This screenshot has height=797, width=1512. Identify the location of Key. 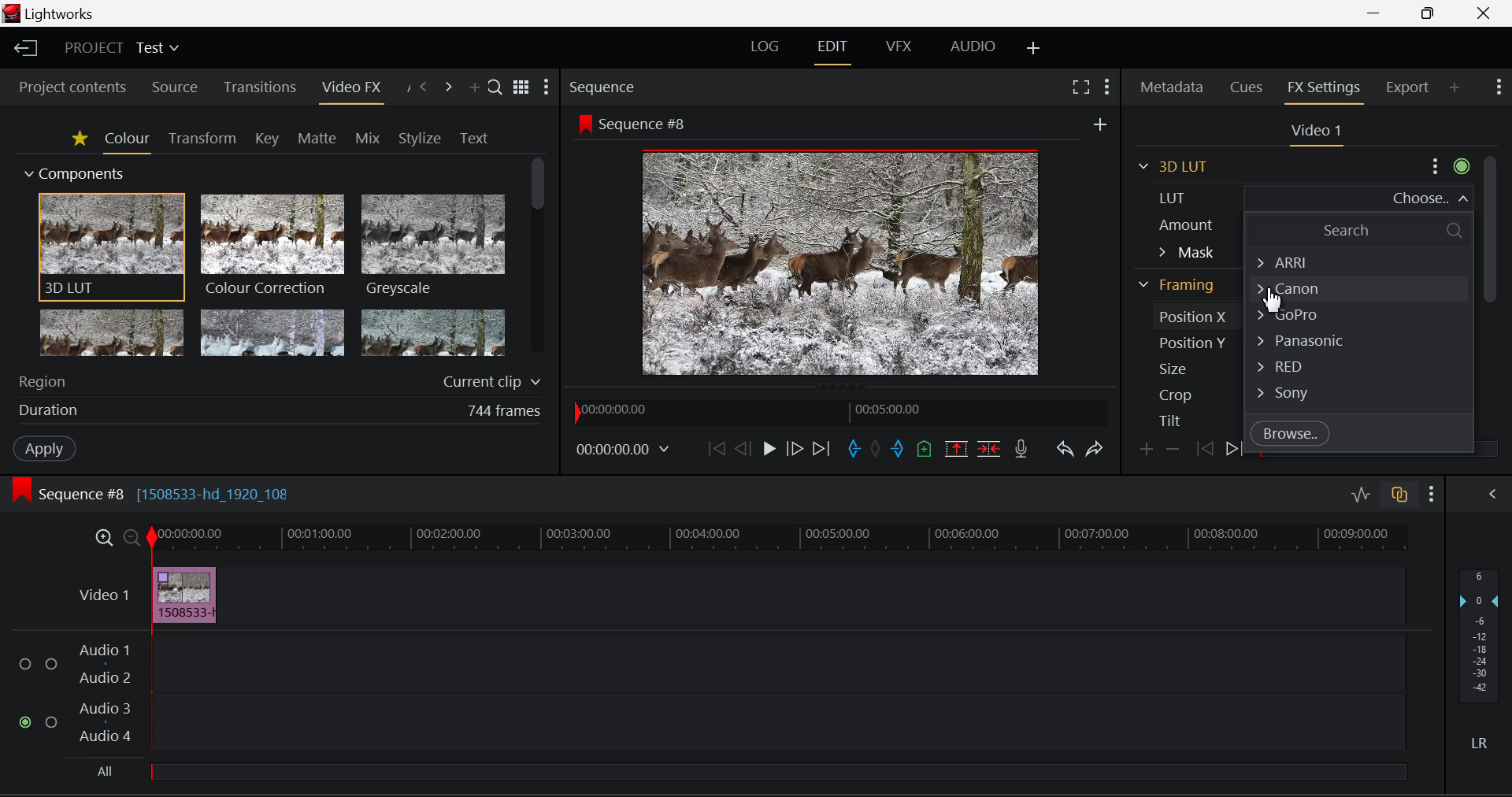
(266, 139).